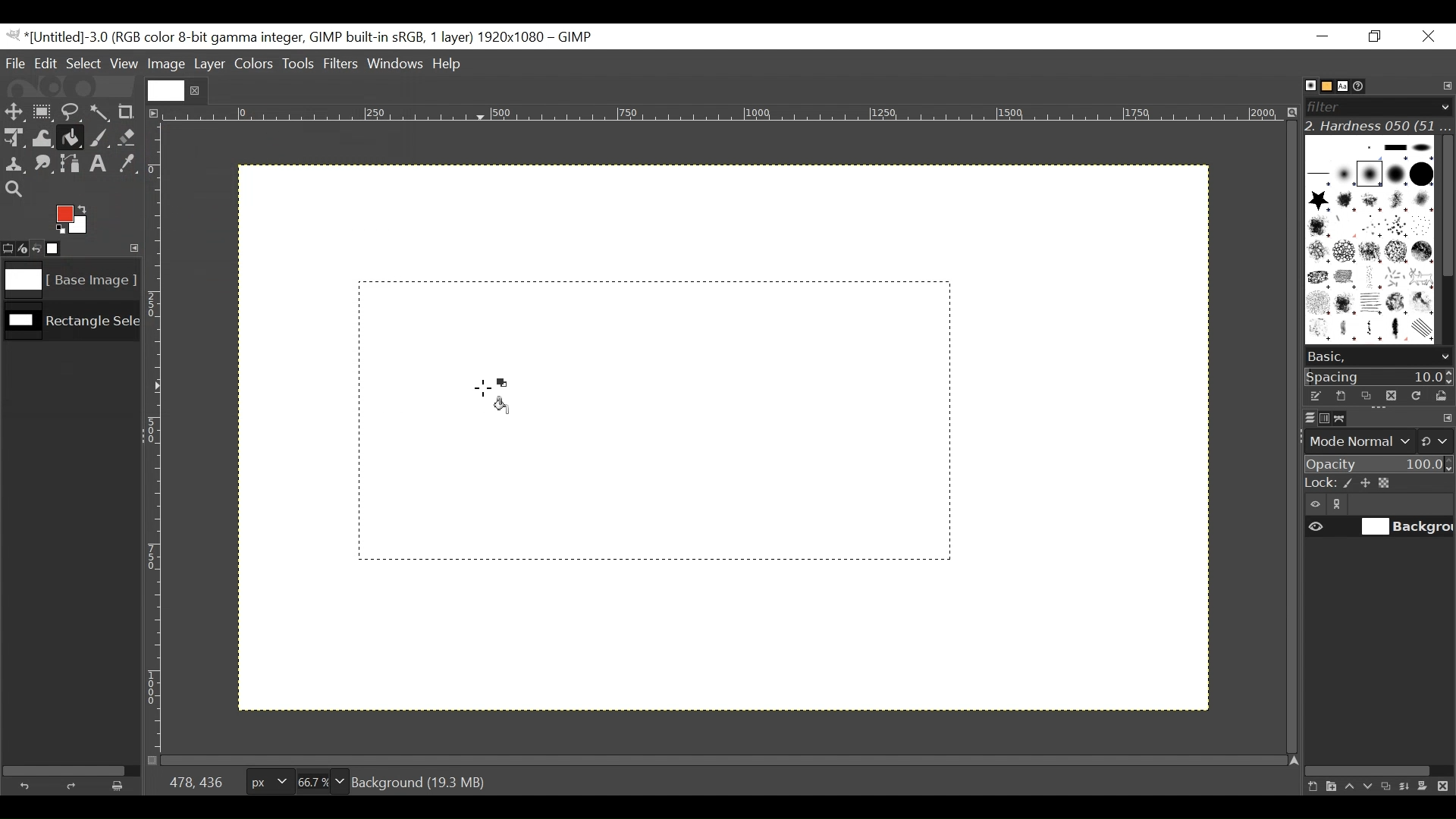 The height and width of the screenshot is (819, 1456). What do you see at coordinates (725, 116) in the screenshot?
I see `Horizontal ruler` at bounding box center [725, 116].